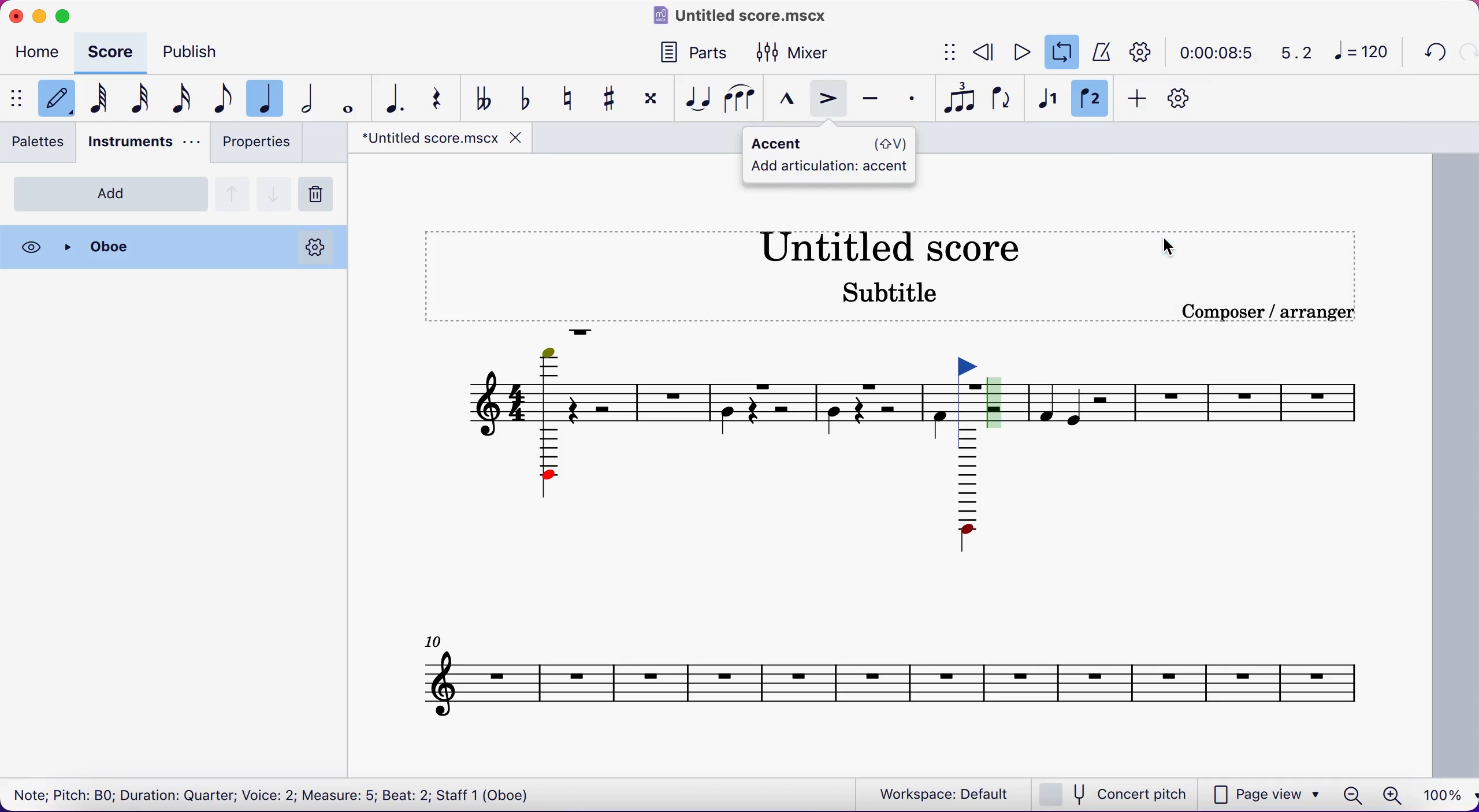 Image resolution: width=1479 pixels, height=812 pixels. Describe the element at coordinates (984, 51) in the screenshot. I see `review` at that location.